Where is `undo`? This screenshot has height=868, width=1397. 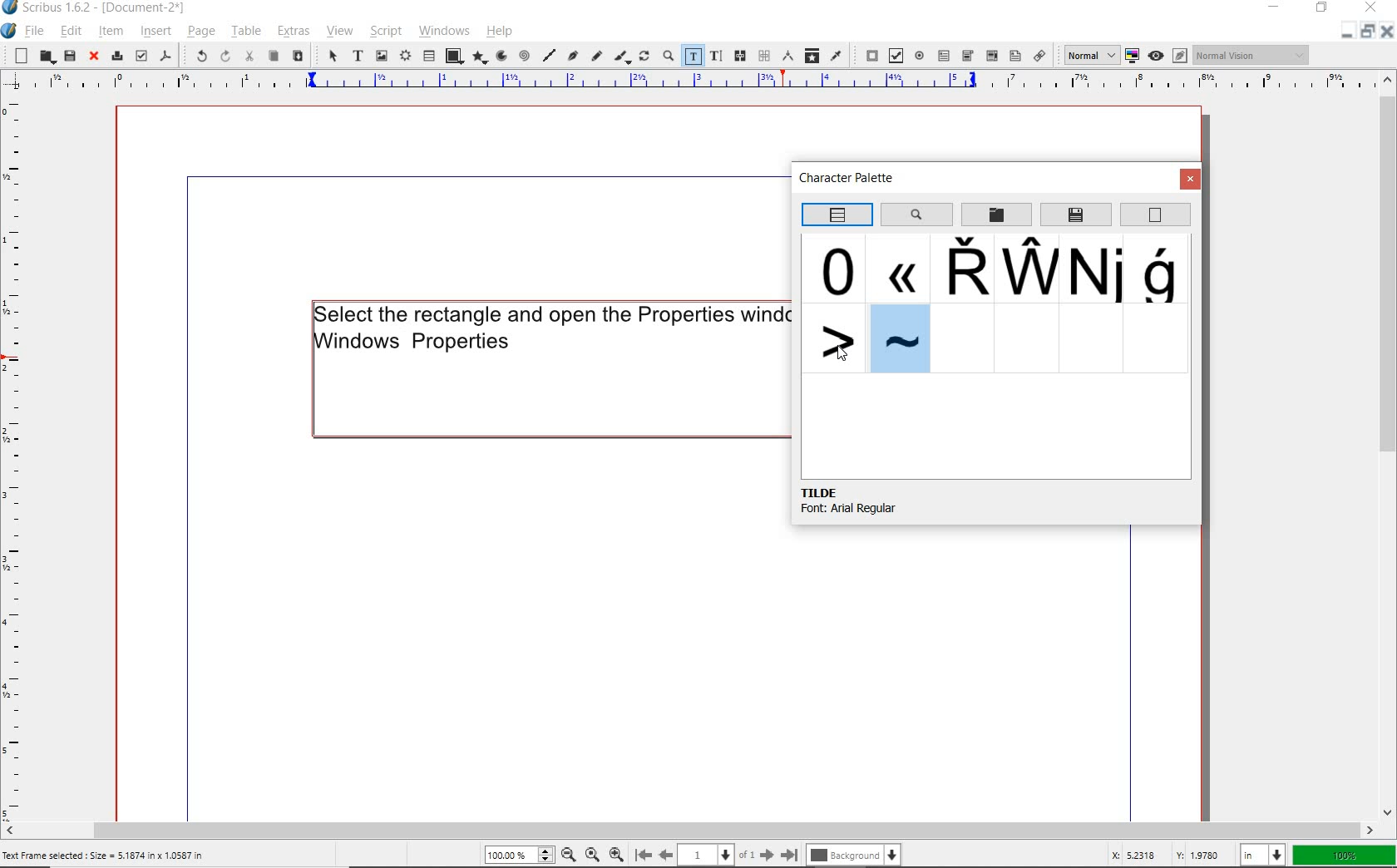
undo is located at coordinates (196, 55).